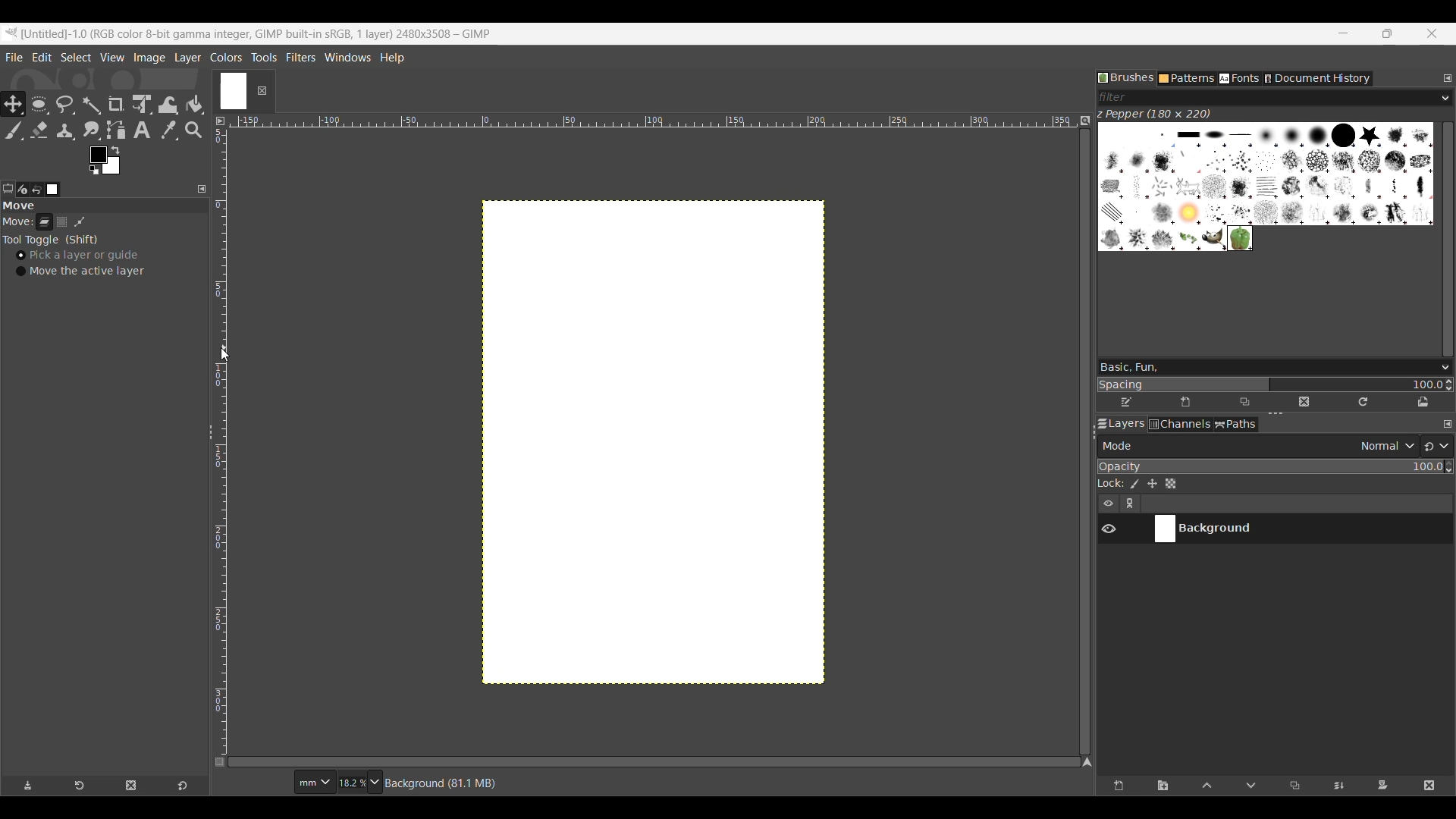 This screenshot has width=1456, height=819. Describe the element at coordinates (300, 57) in the screenshot. I see `Filters menu` at that location.